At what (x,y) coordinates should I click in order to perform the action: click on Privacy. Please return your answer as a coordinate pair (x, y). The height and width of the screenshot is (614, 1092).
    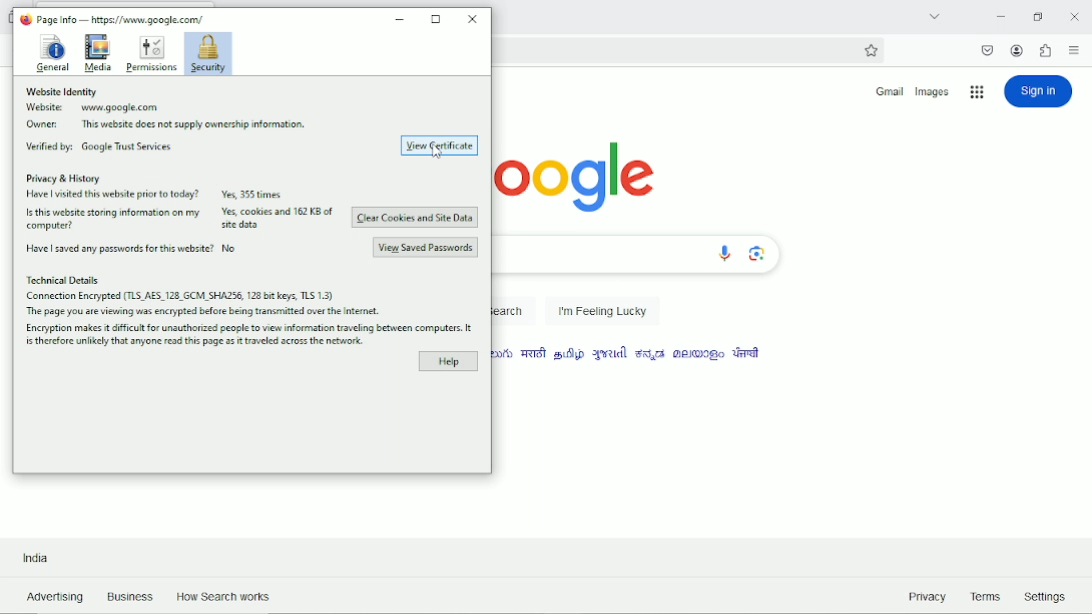
    Looking at the image, I should click on (924, 596).